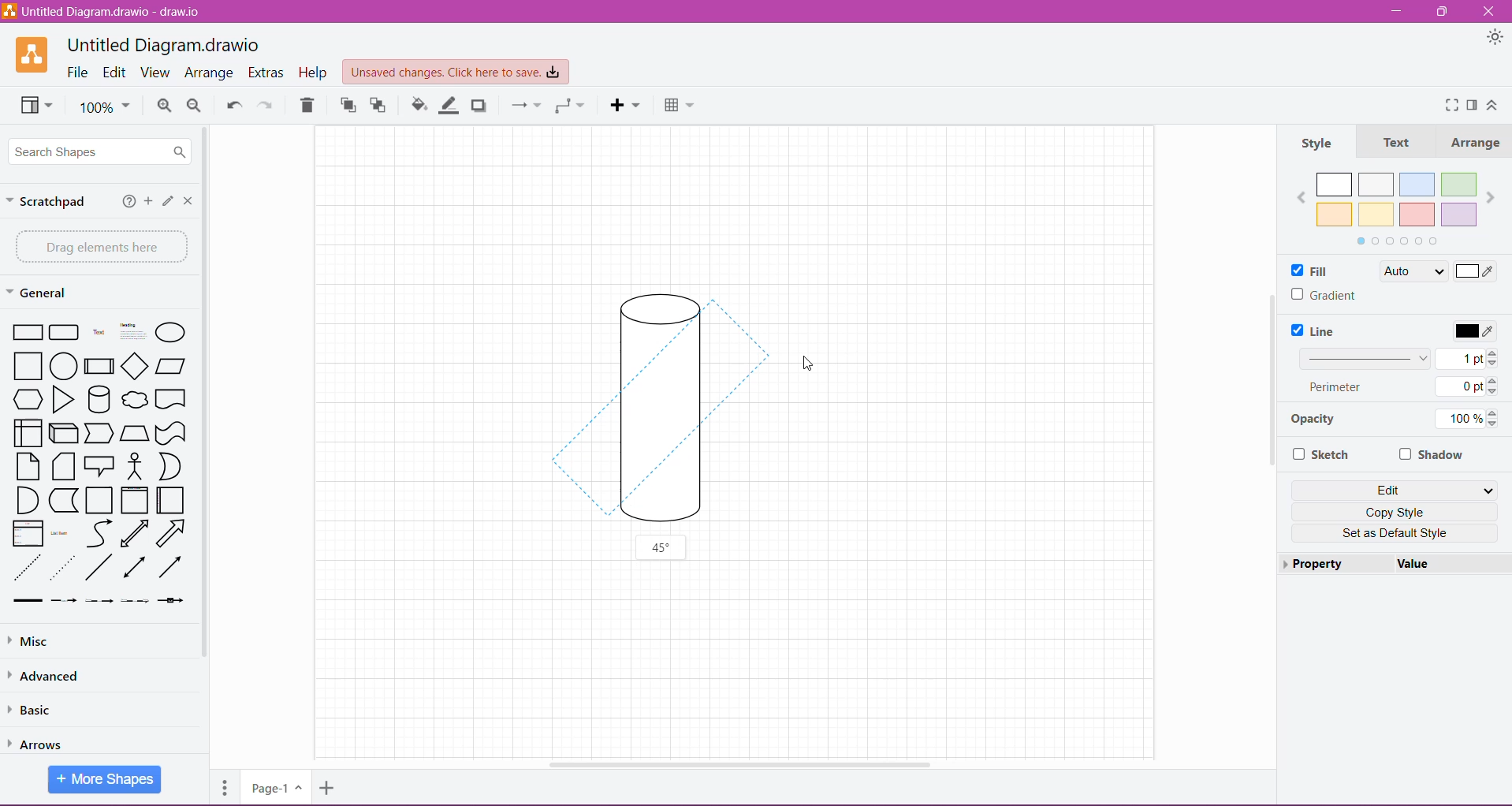 This screenshot has width=1512, height=806. Describe the element at coordinates (166, 201) in the screenshot. I see `Edit` at that location.